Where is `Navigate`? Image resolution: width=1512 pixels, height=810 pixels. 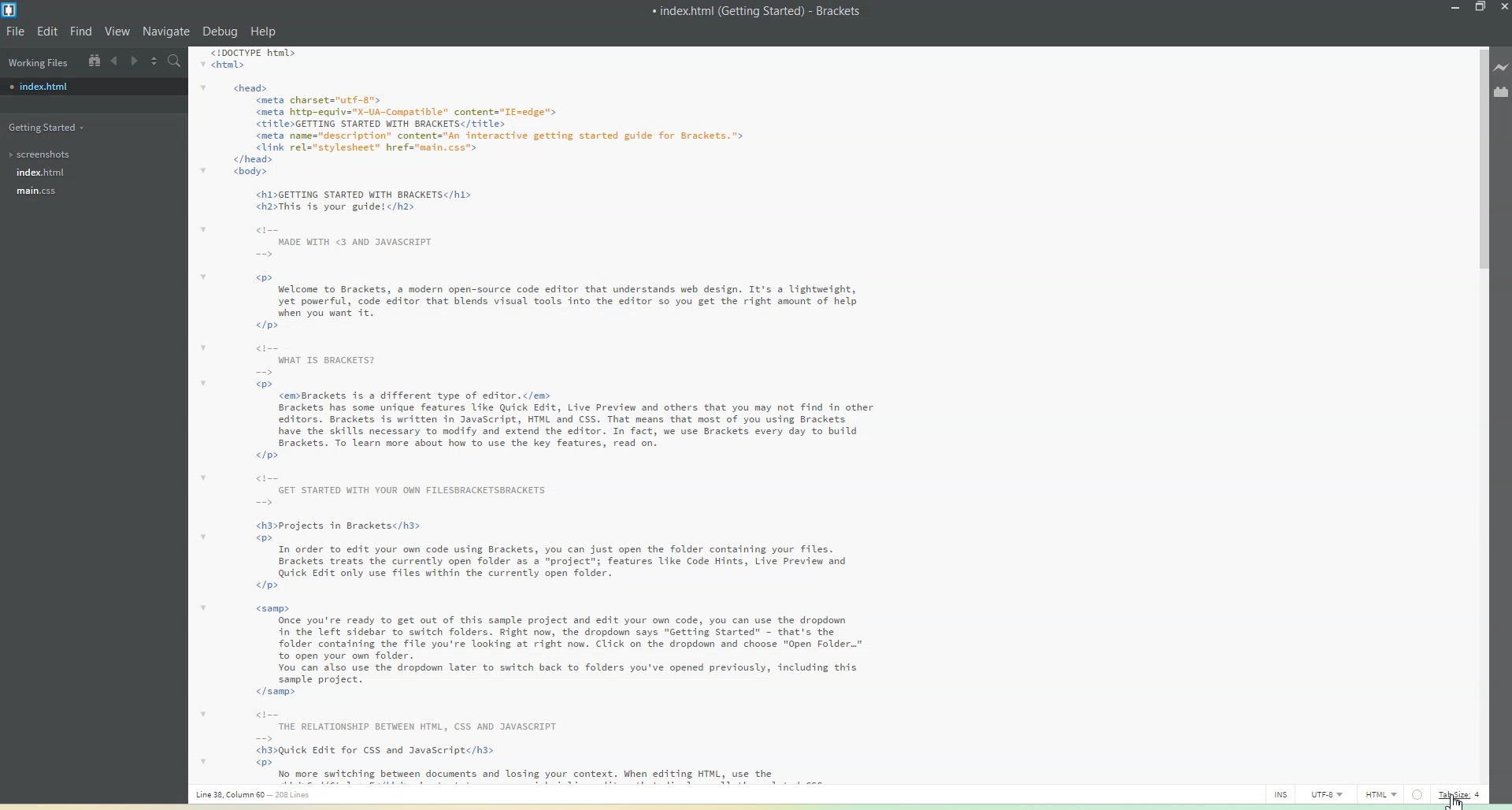
Navigate is located at coordinates (166, 32).